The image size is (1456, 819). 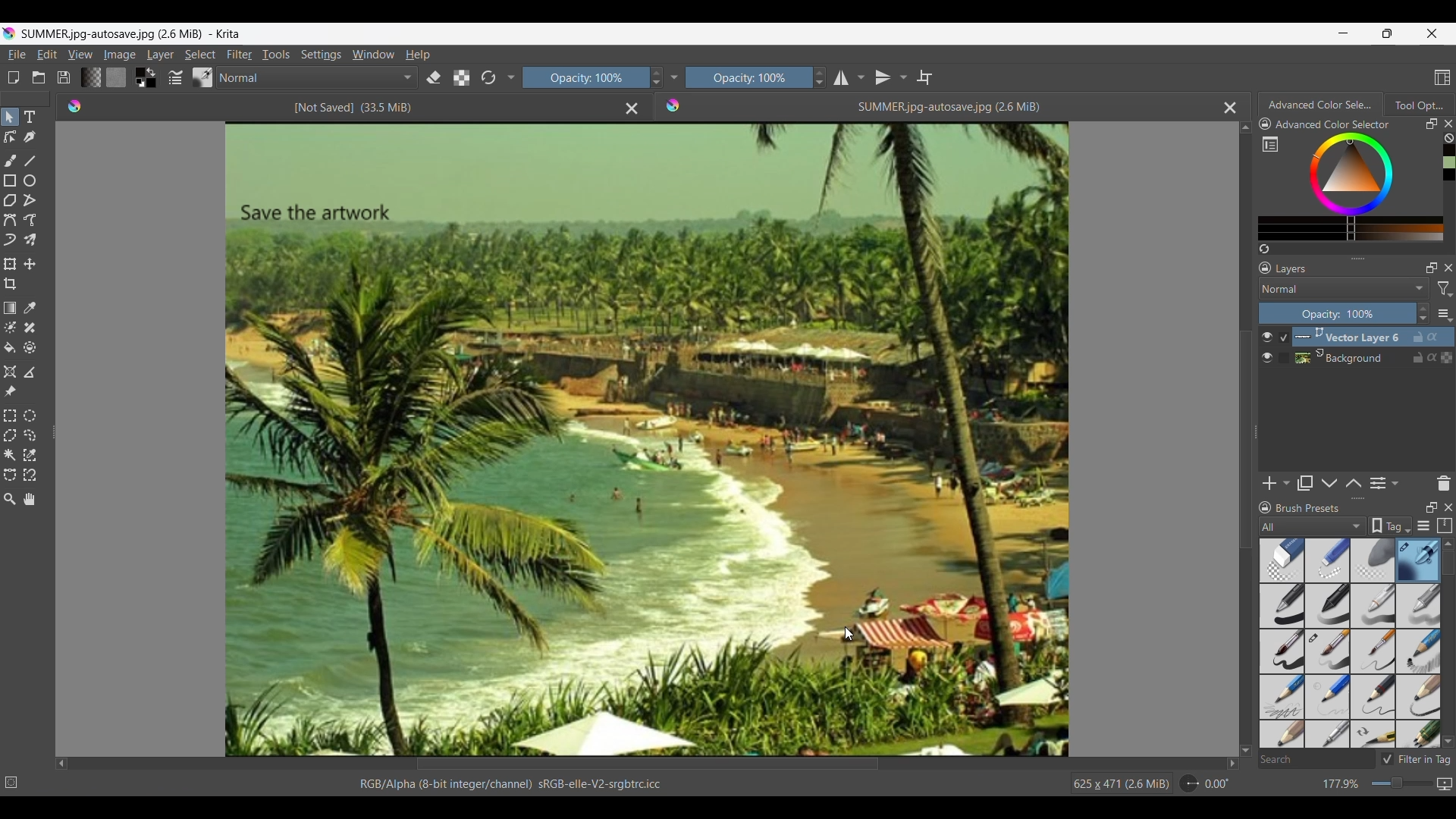 What do you see at coordinates (1448, 544) in the screenshot?
I see `Quick slide to top` at bounding box center [1448, 544].